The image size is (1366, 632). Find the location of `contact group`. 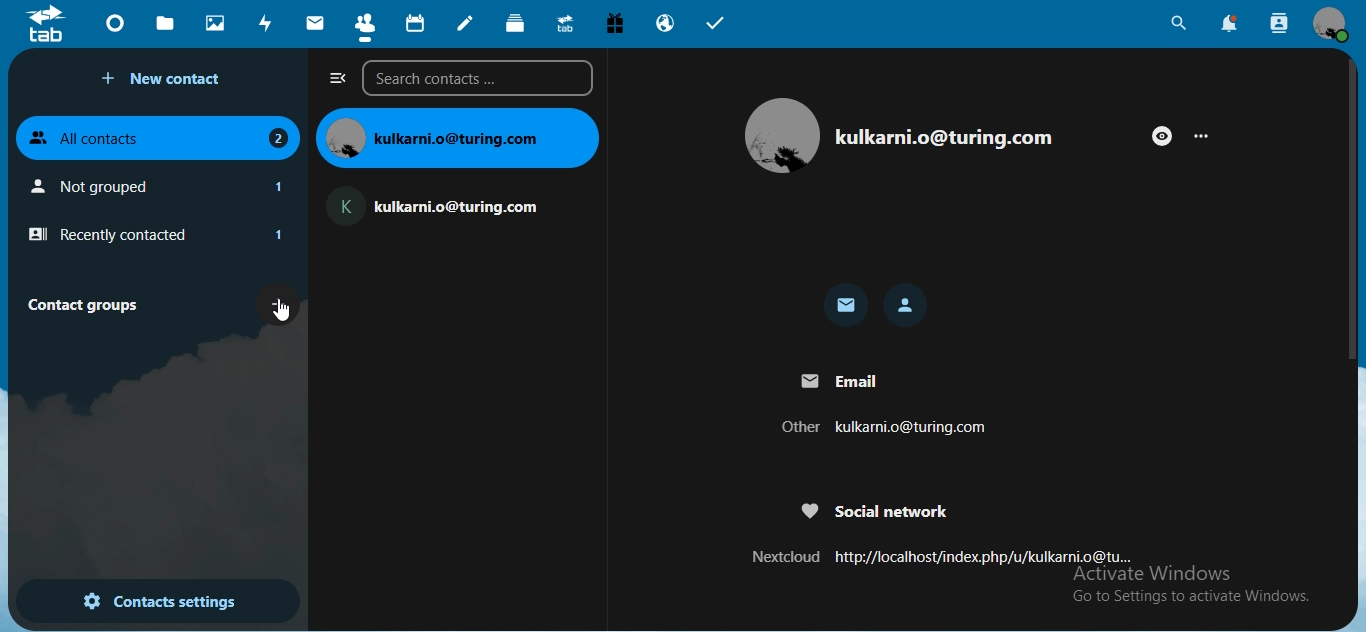

contact group is located at coordinates (90, 304).